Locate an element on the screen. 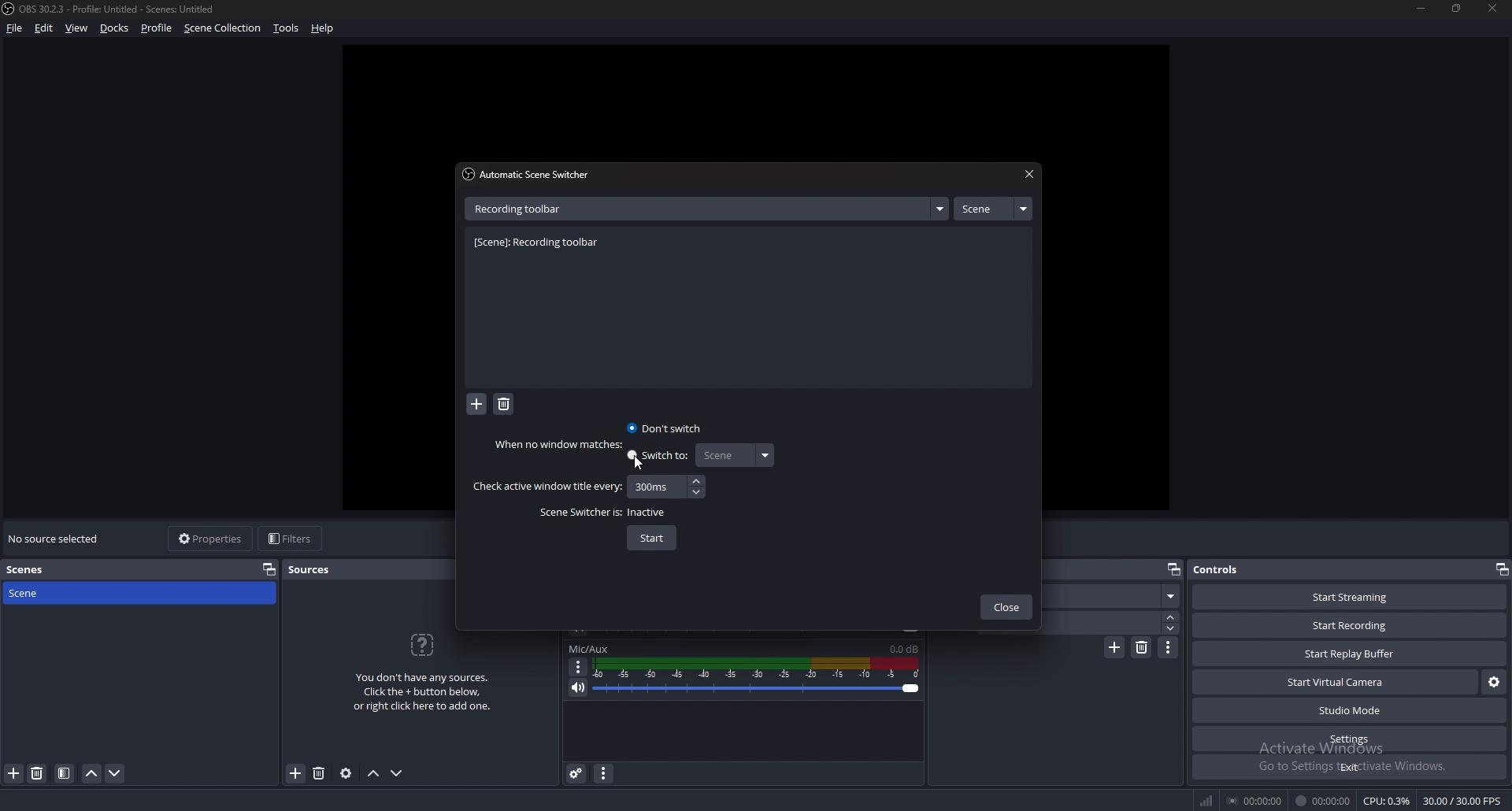 Image resolution: width=1512 pixels, height=811 pixels. duration is located at coordinates (1110, 622).